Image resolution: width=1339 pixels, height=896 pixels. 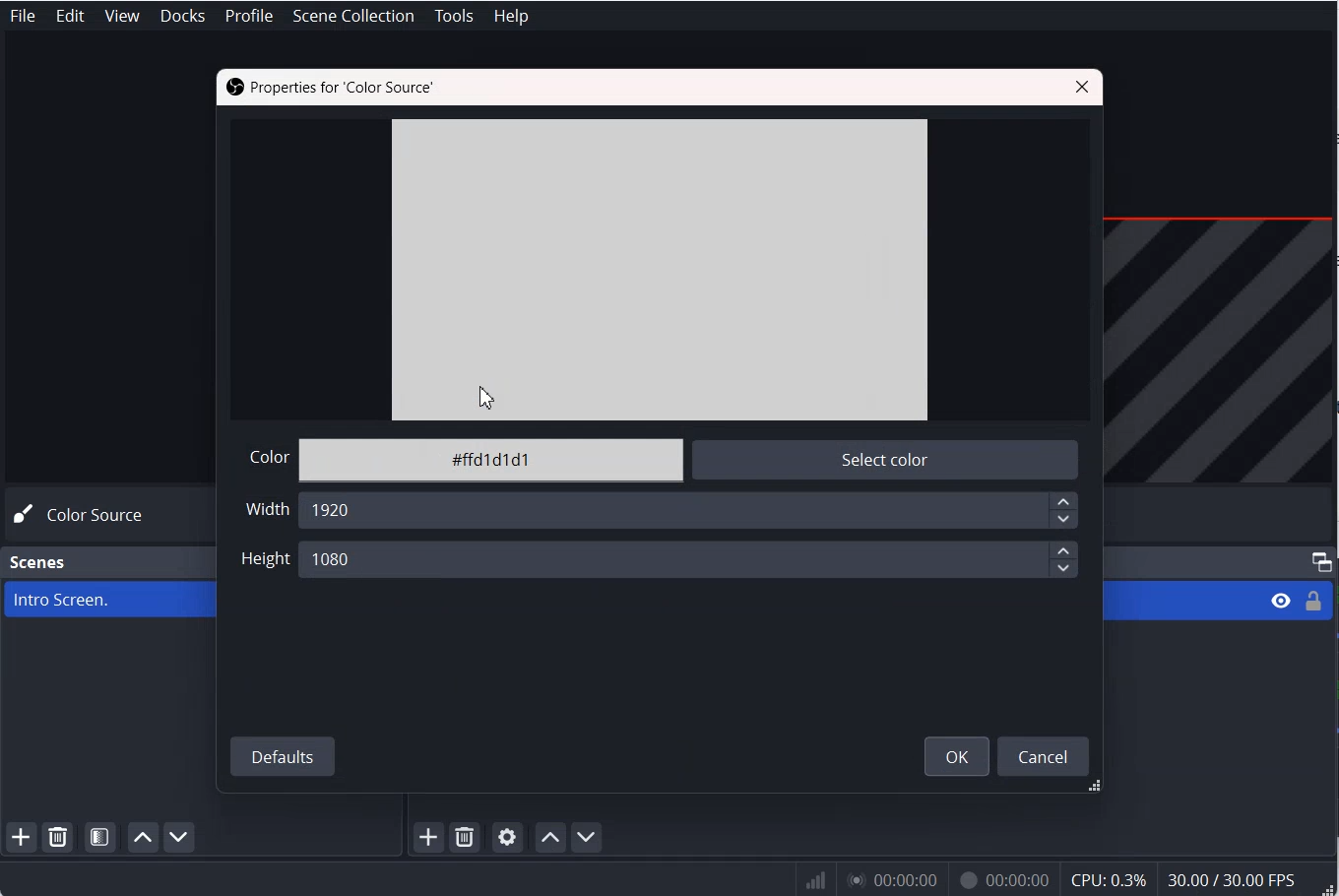 What do you see at coordinates (1277, 604) in the screenshot?
I see `Hide` at bounding box center [1277, 604].